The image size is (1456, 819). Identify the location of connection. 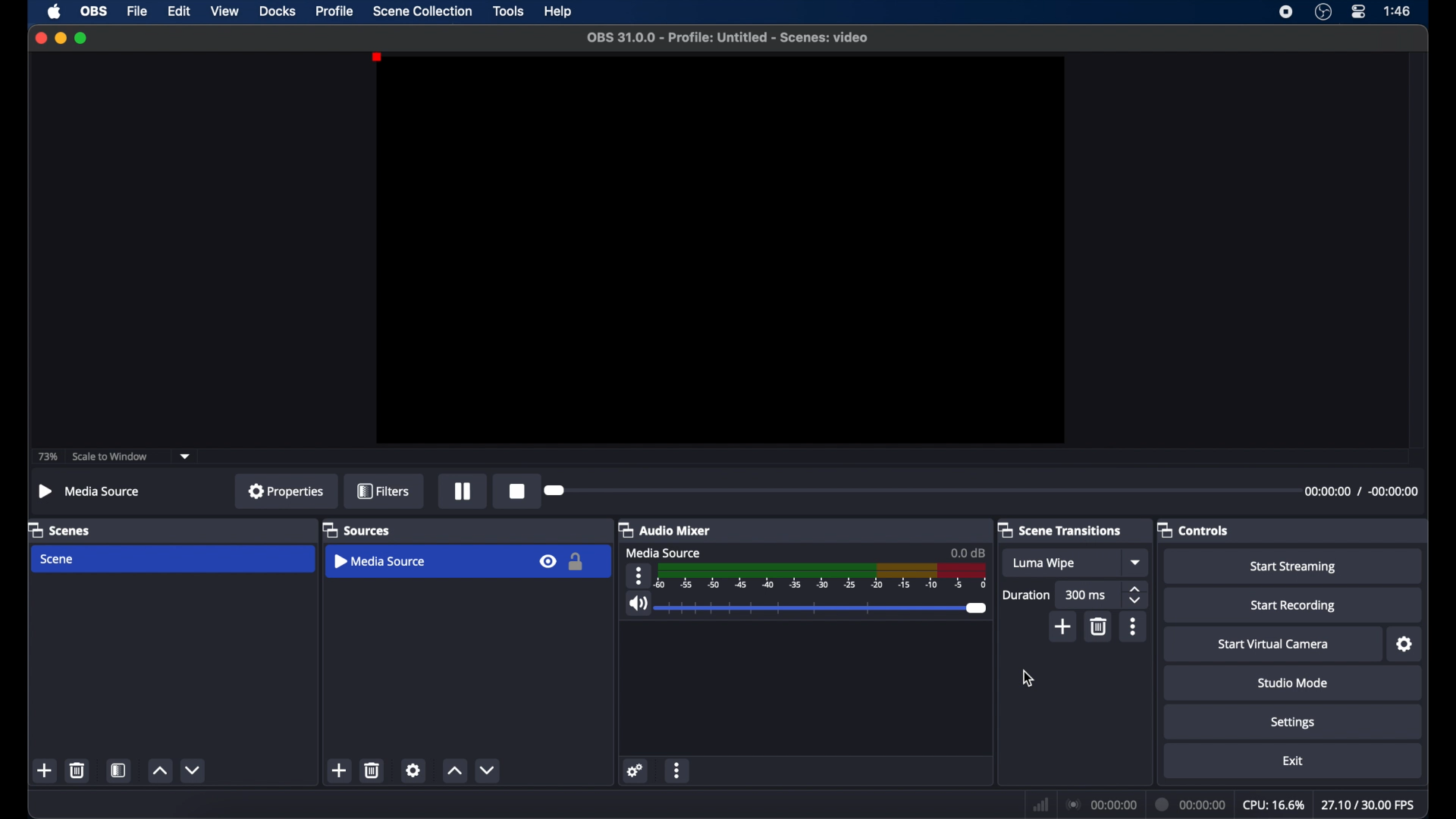
(1101, 803).